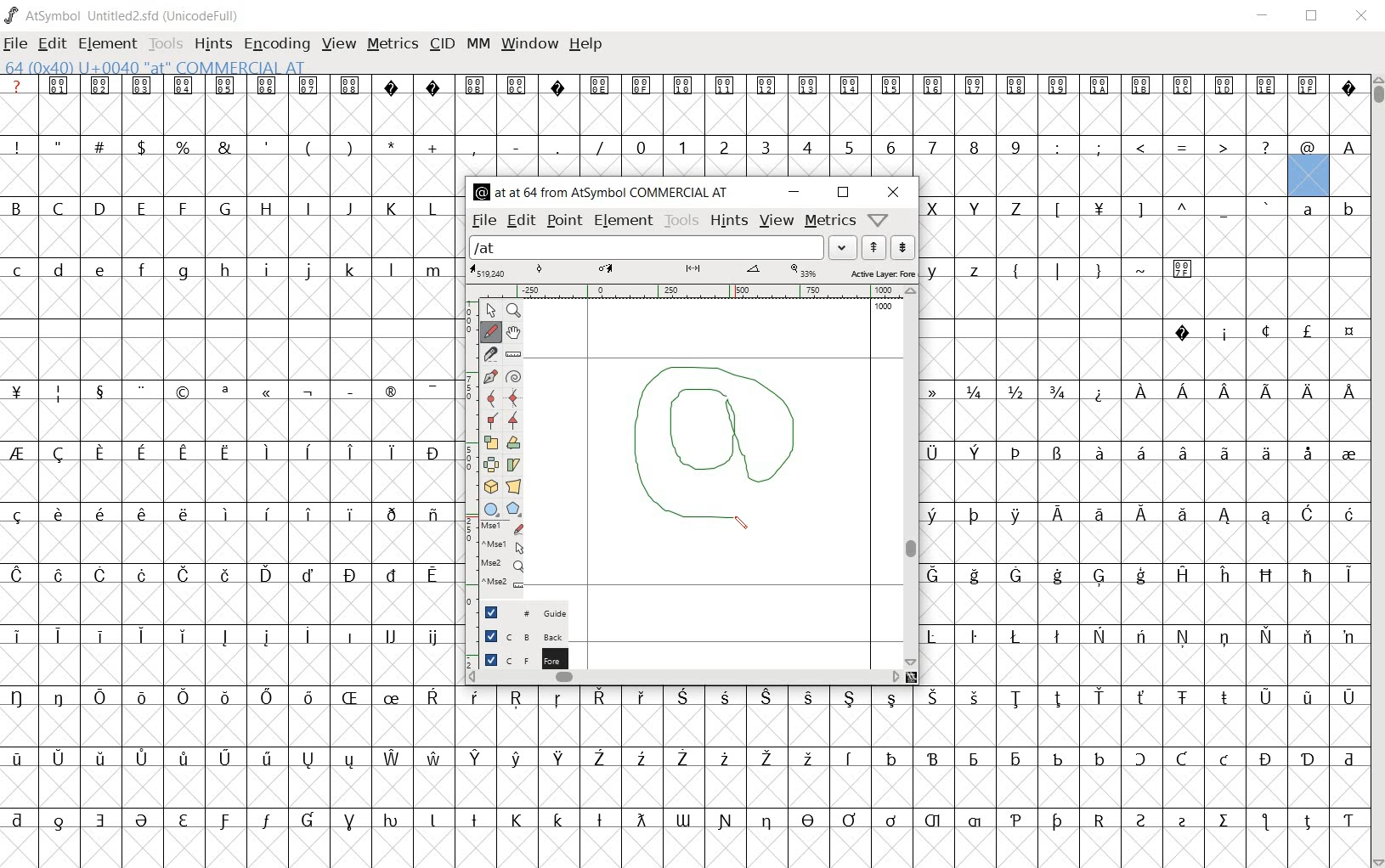 The height and width of the screenshot is (868, 1385). What do you see at coordinates (845, 247) in the screenshot?
I see `load word list dropdown` at bounding box center [845, 247].